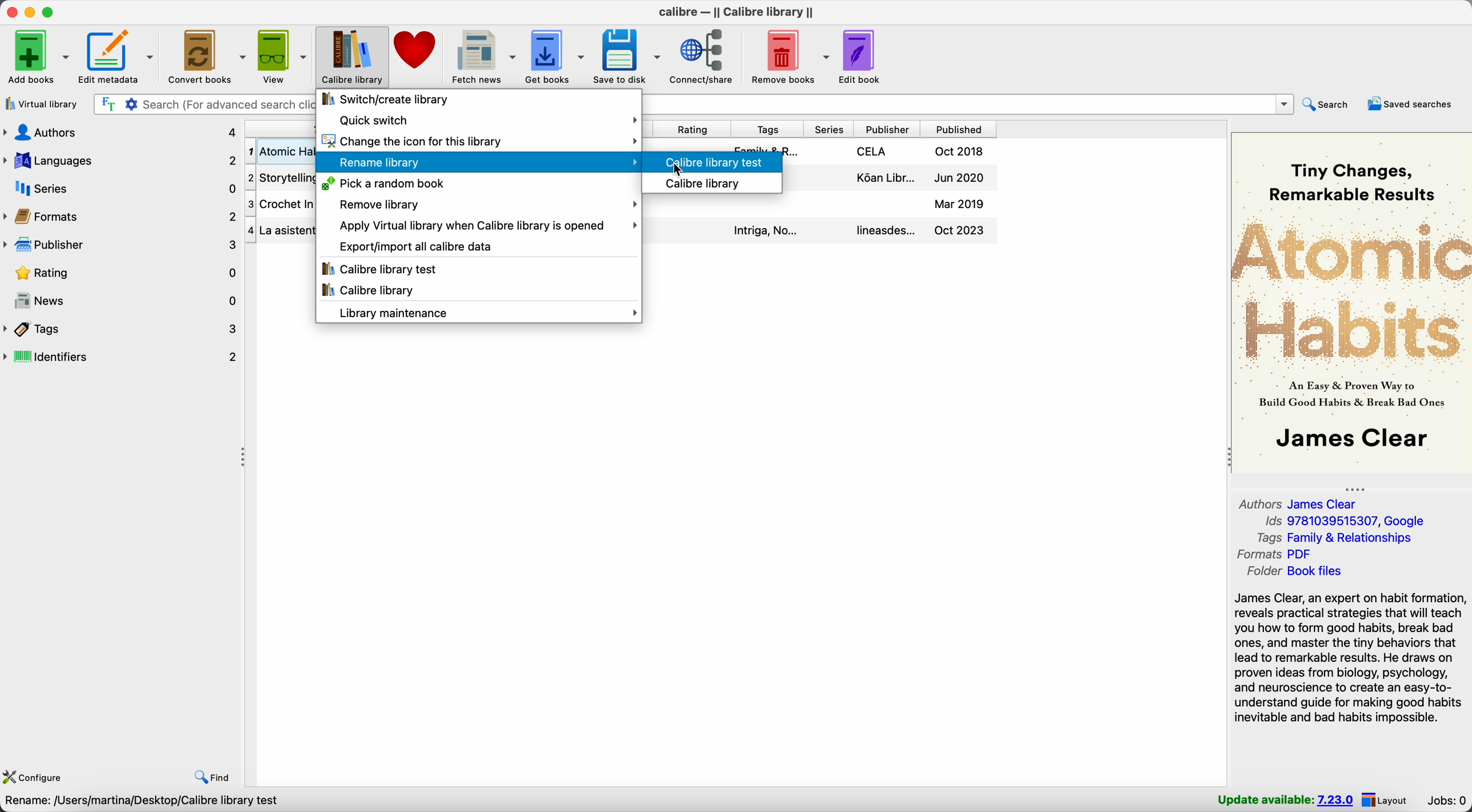  Describe the element at coordinates (1329, 105) in the screenshot. I see `search` at that location.